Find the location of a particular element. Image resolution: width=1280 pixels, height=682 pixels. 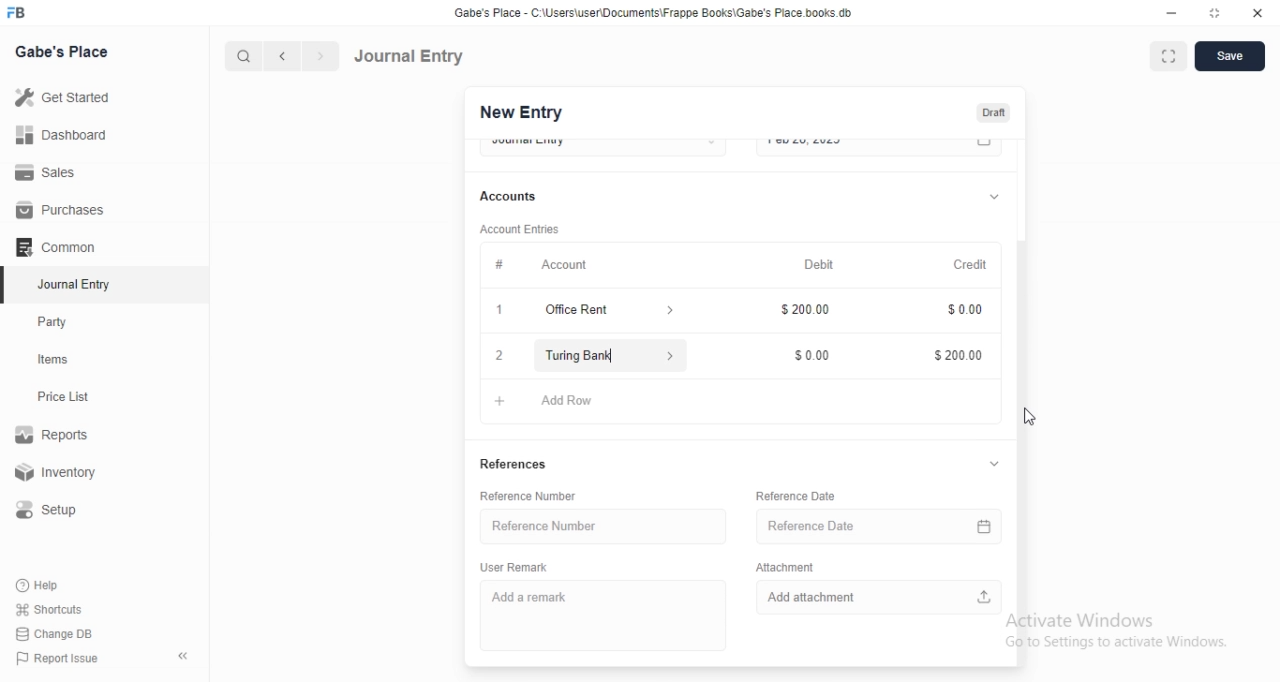

Credit is located at coordinates (970, 264).